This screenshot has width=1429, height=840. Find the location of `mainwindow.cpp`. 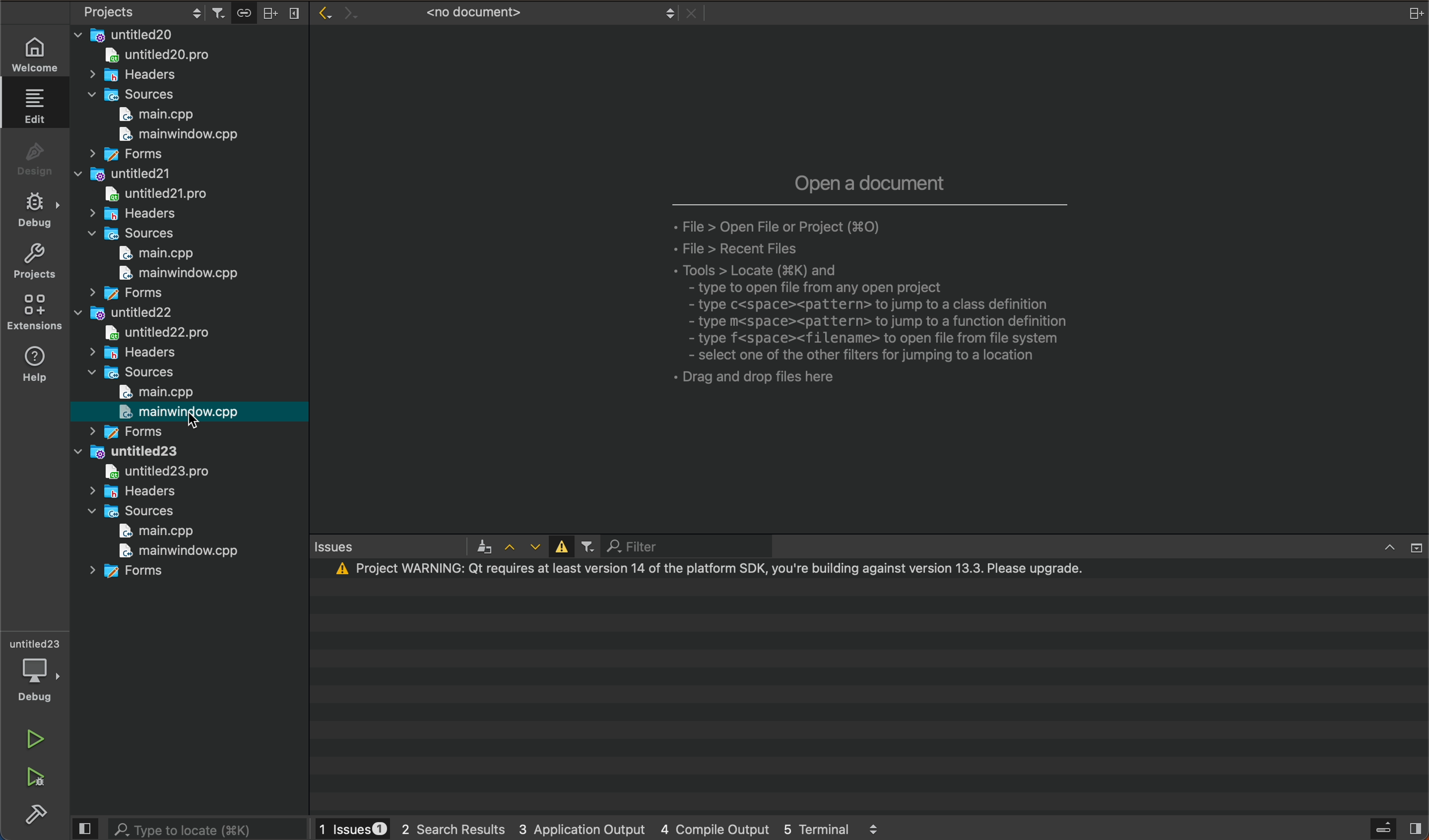

mainwindow.cpp is located at coordinates (172, 550).